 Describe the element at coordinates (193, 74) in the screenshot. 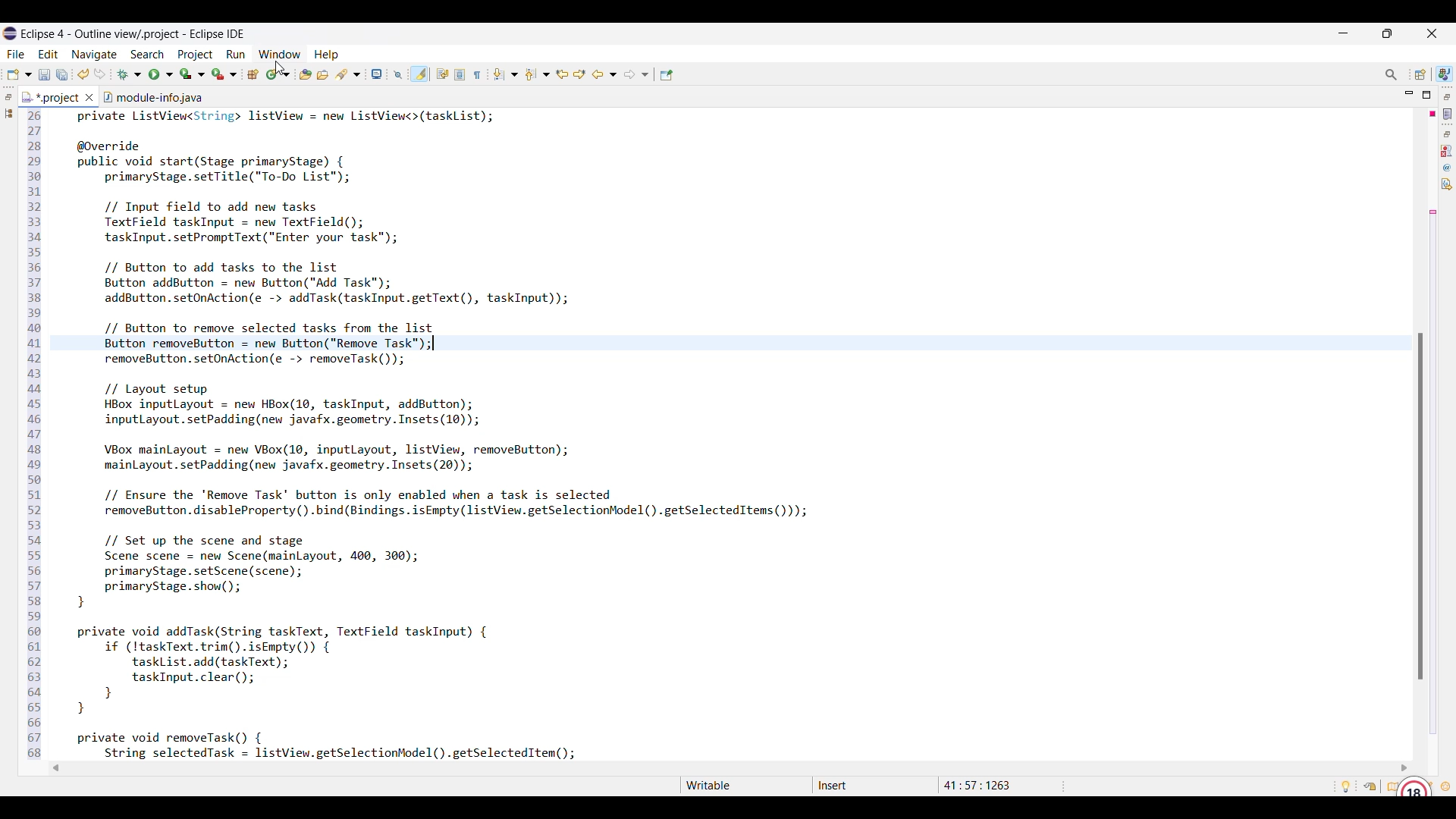

I see `Coverage options` at that location.